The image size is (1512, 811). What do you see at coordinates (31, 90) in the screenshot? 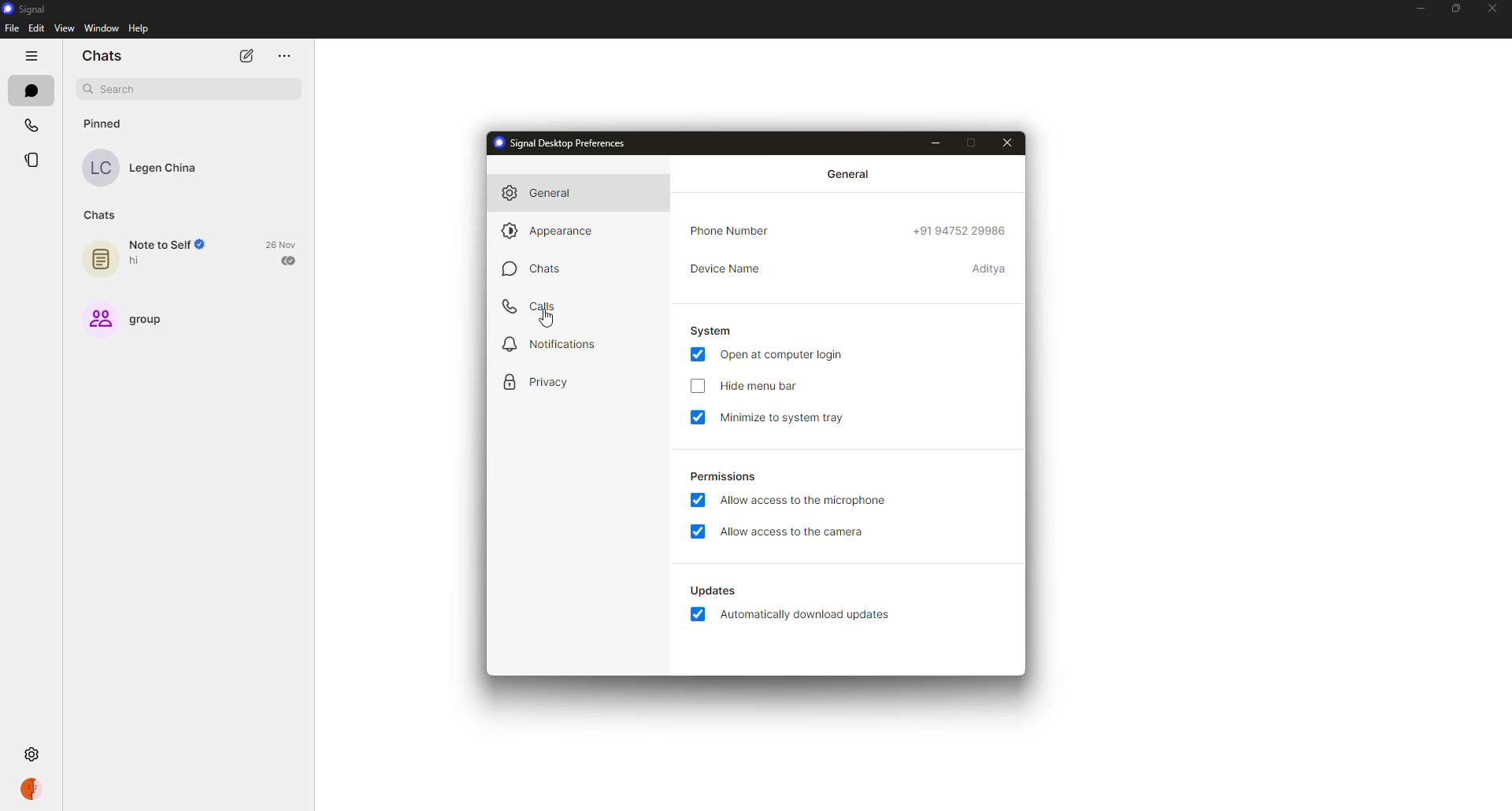
I see `chats` at bounding box center [31, 90].